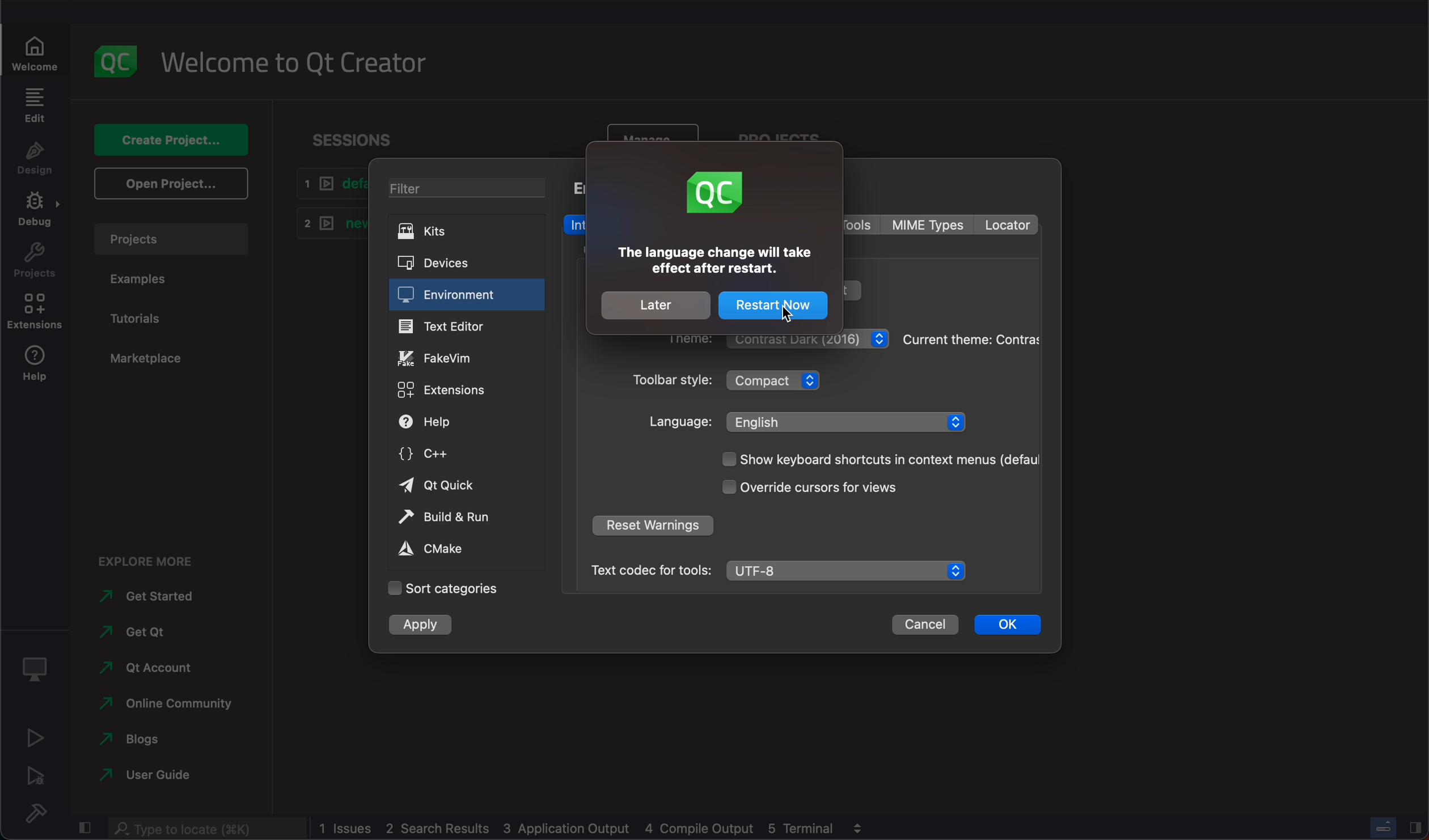  I want to click on environment, so click(467, 295).